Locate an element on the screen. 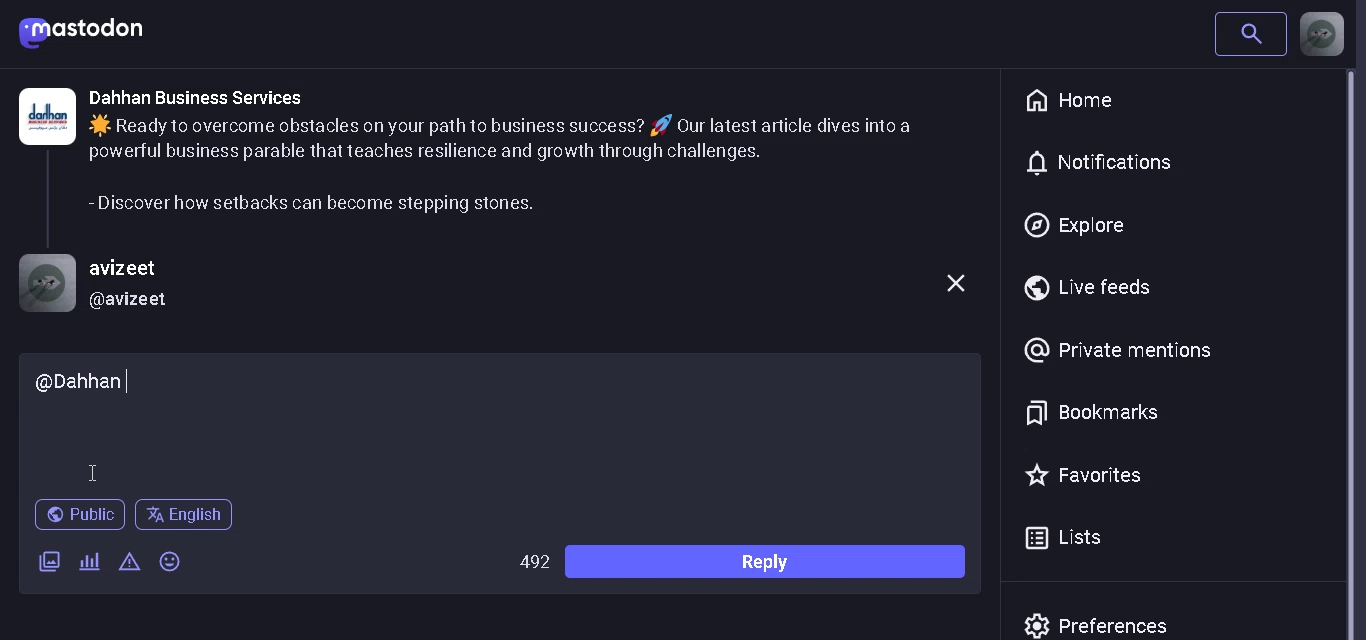 Image resolution: width=1366 pixels, height=640 pixels. wordlimit is located at coordinates (534, 564).